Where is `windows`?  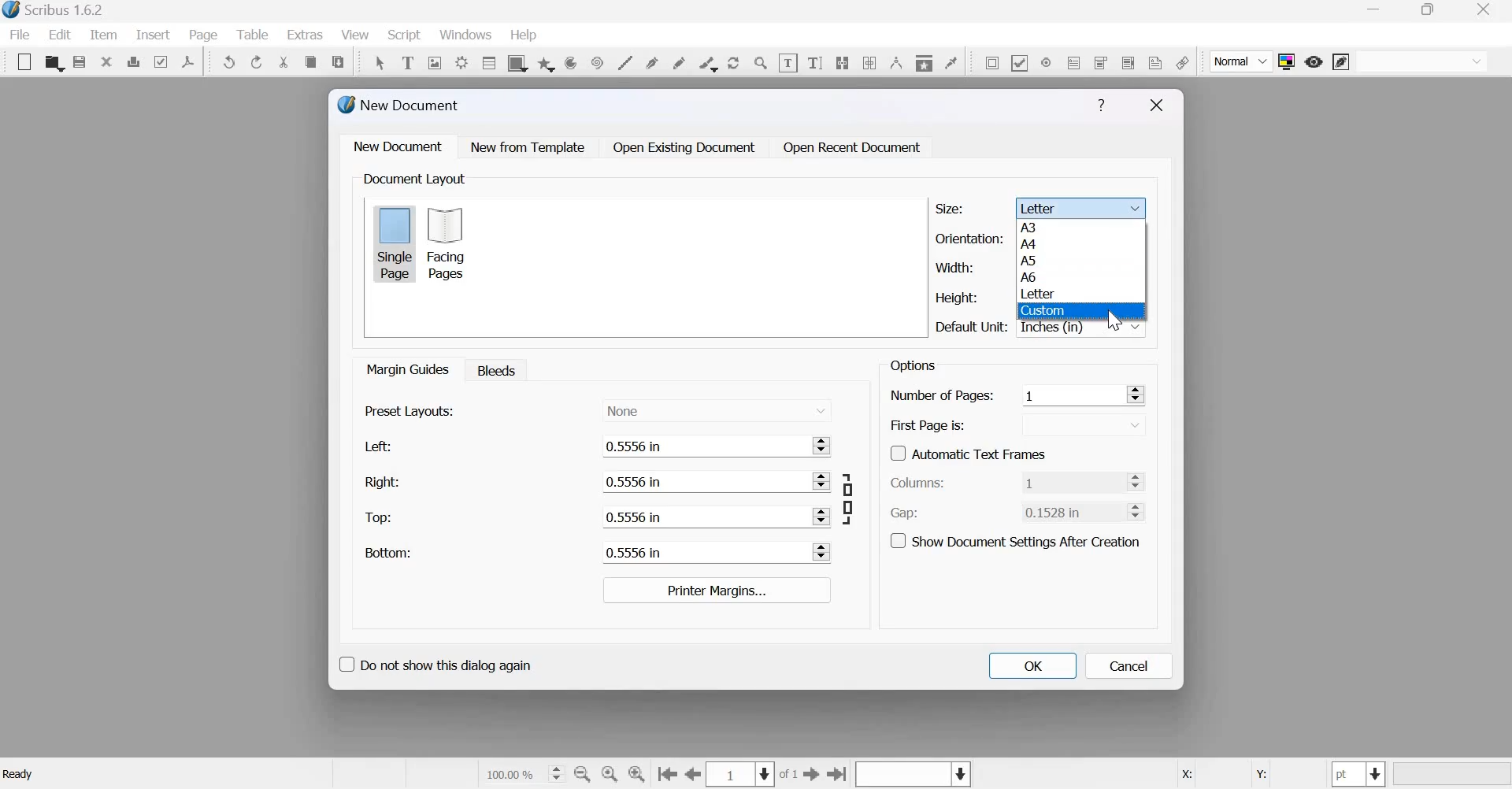
windows is located at coordinates (465, 36).